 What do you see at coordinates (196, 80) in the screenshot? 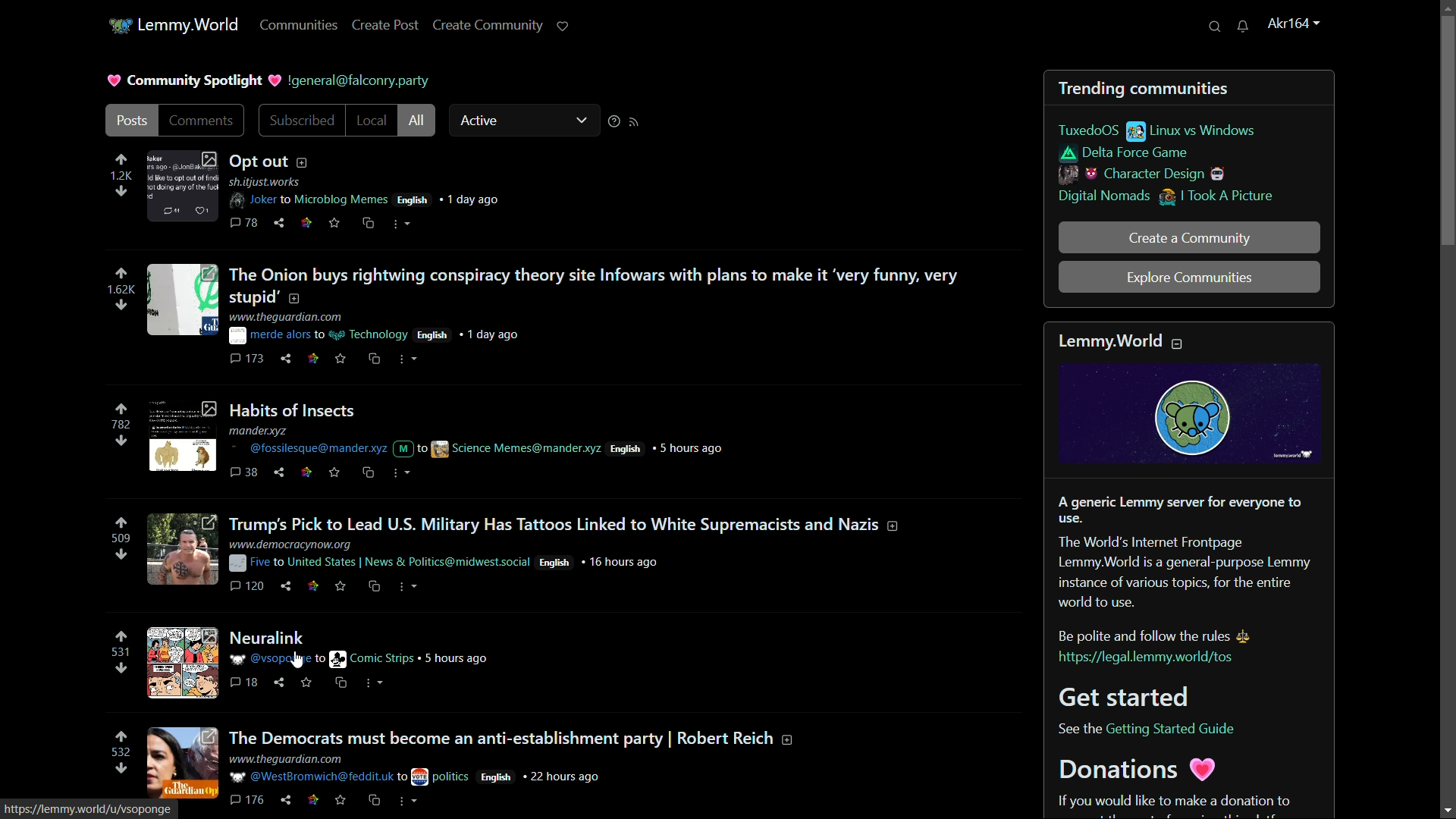
I see `community spotlight` at bounding box center [196, 80].